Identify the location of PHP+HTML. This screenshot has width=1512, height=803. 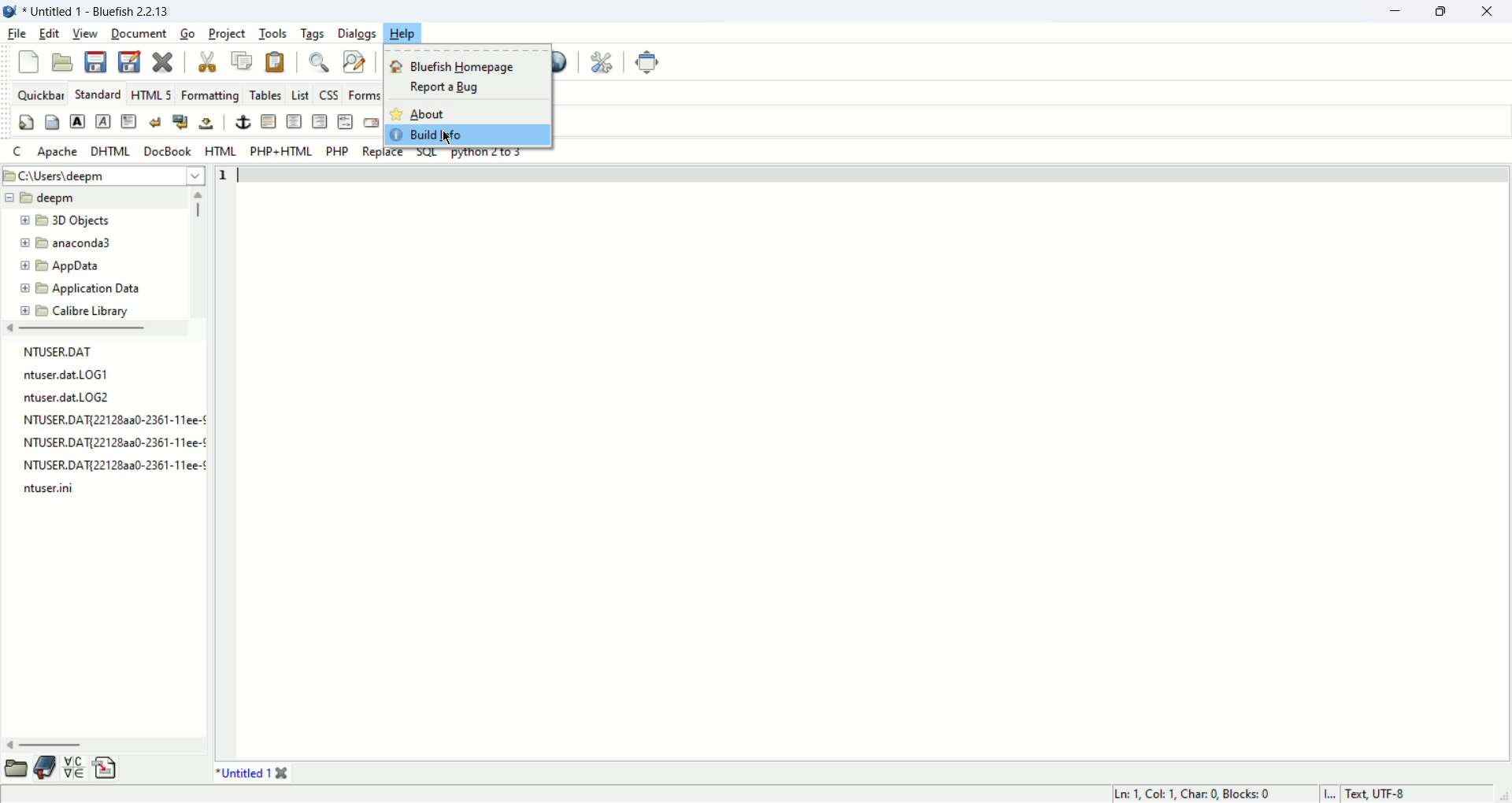
(280, 151).